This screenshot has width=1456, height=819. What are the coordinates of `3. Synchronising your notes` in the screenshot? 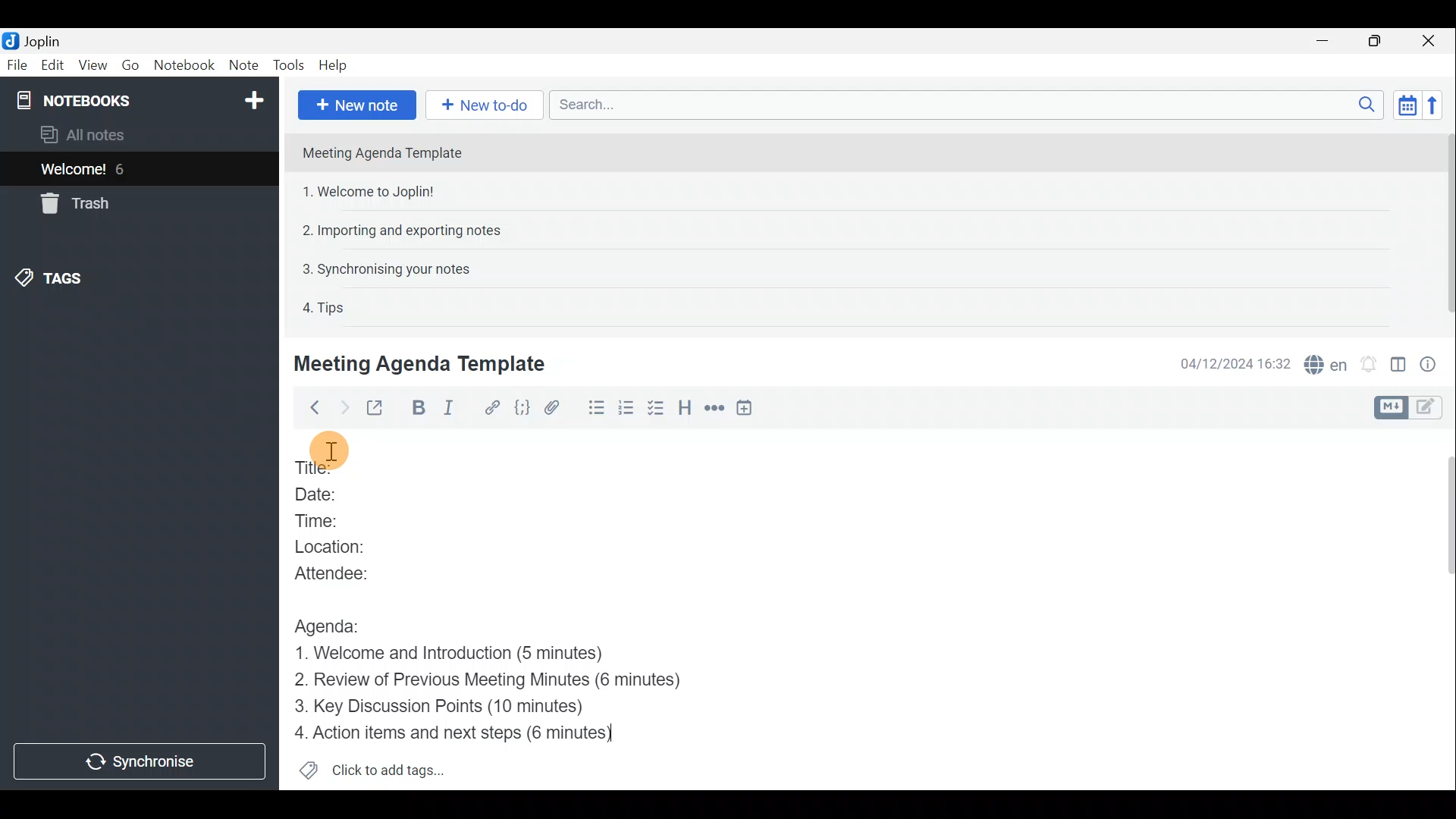 It's located at (386, 268).